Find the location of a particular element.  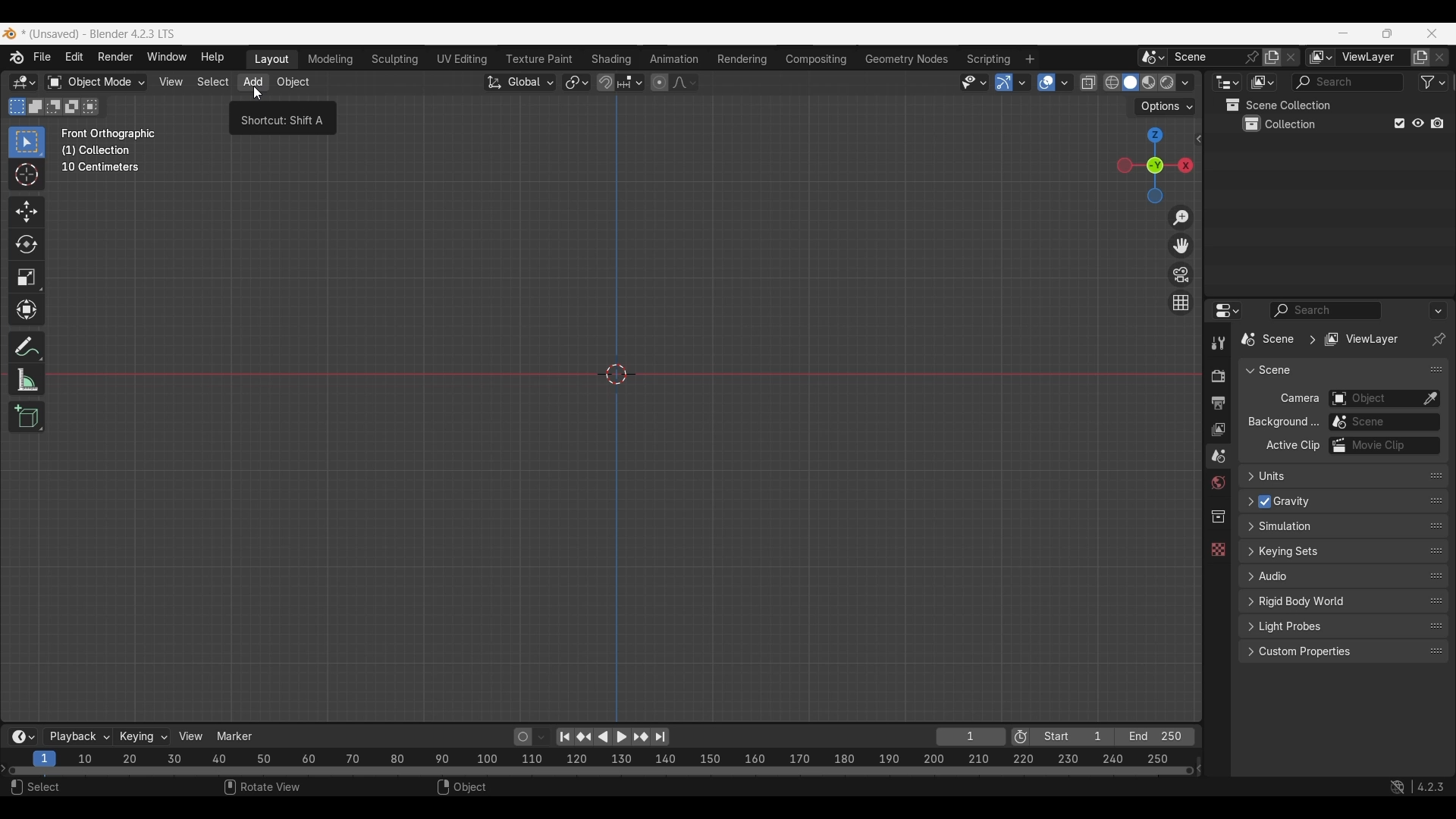

Playback is located at coordinates (79, 737).